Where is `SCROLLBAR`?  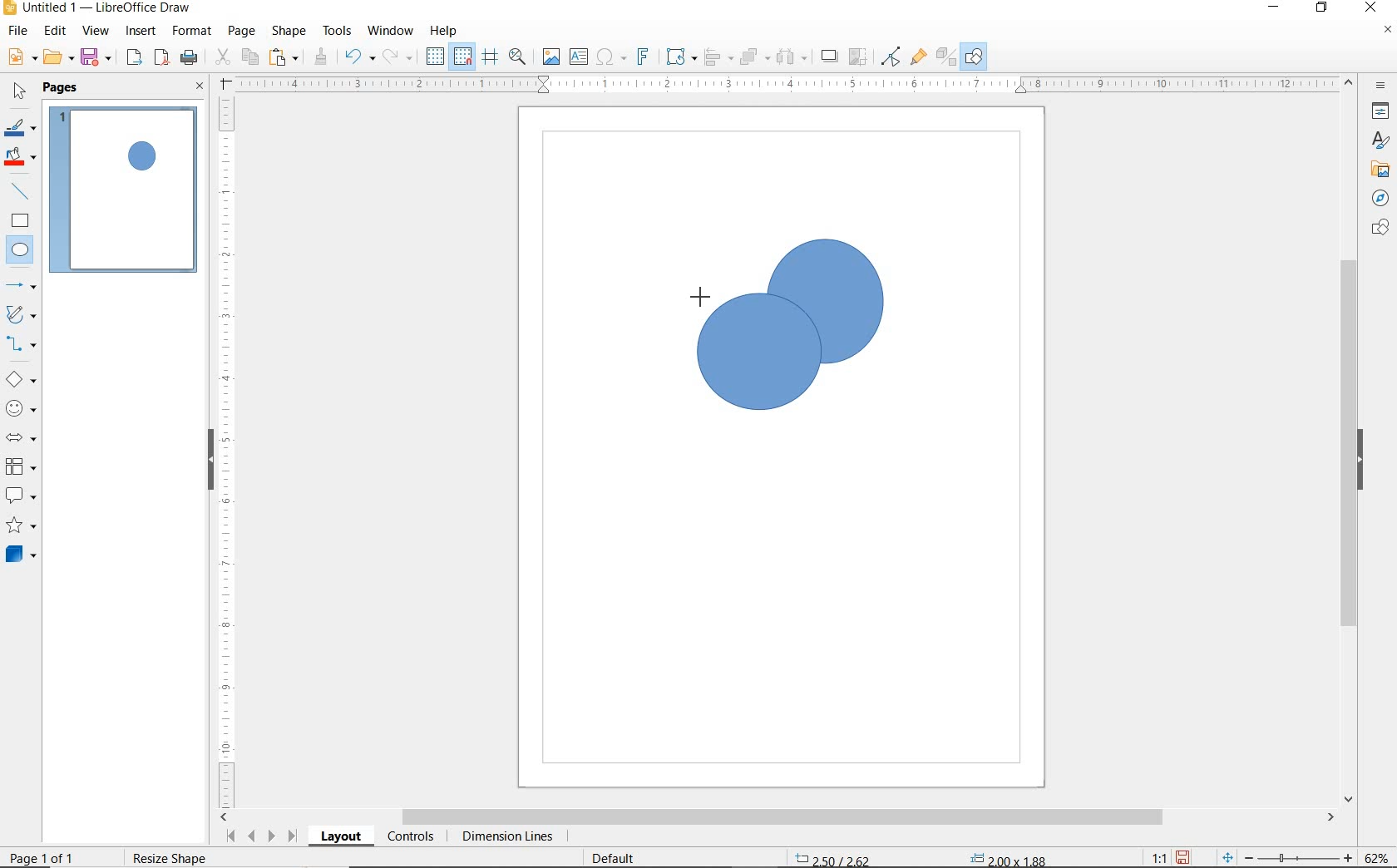 SCROLLBAR is located at coordinates (1349, 441).